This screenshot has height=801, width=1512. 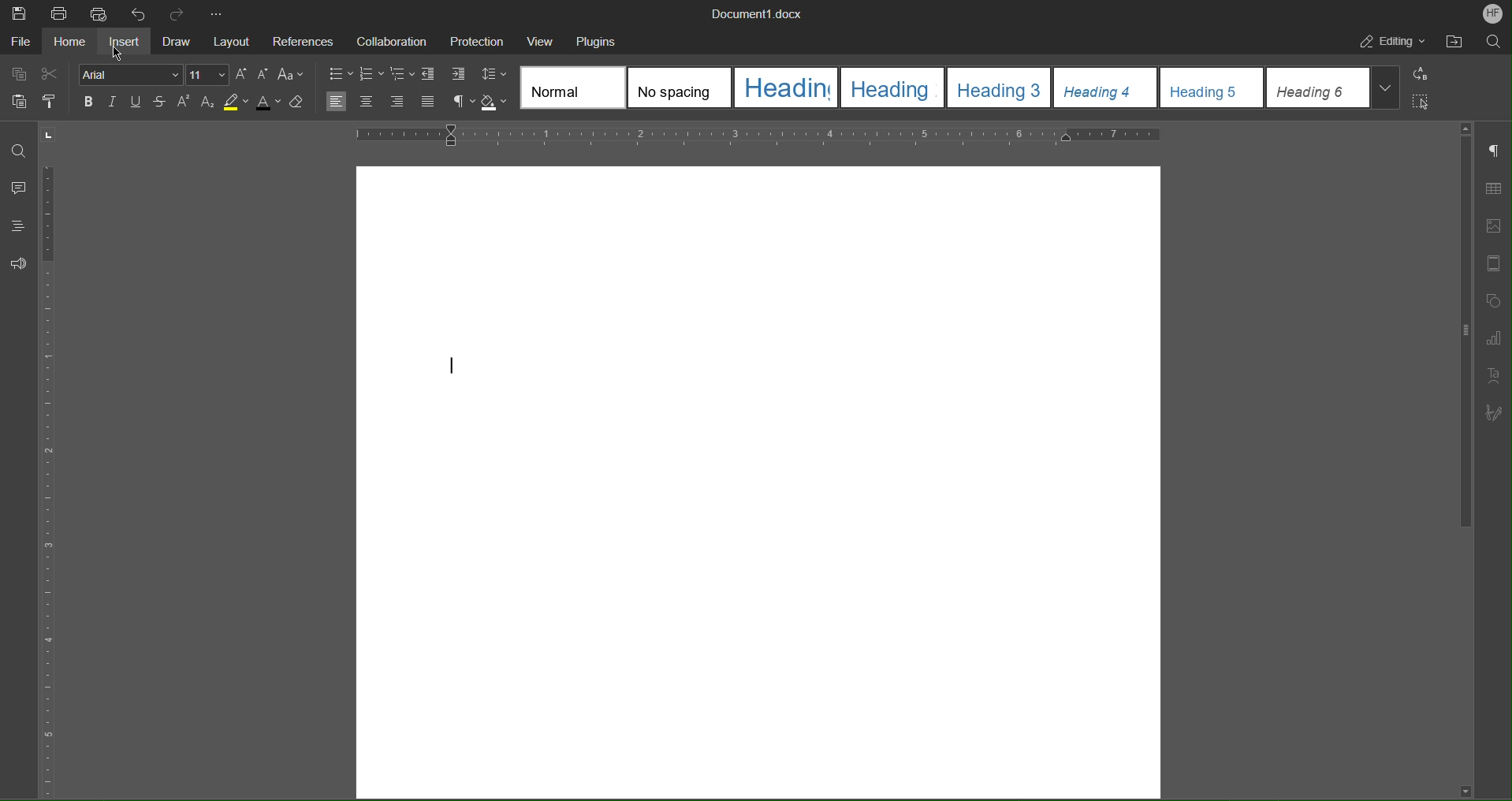 What do you see at coordinates (386, 39) in the screenshot?
I see `Collaboration` at bounding box center [386, 39].